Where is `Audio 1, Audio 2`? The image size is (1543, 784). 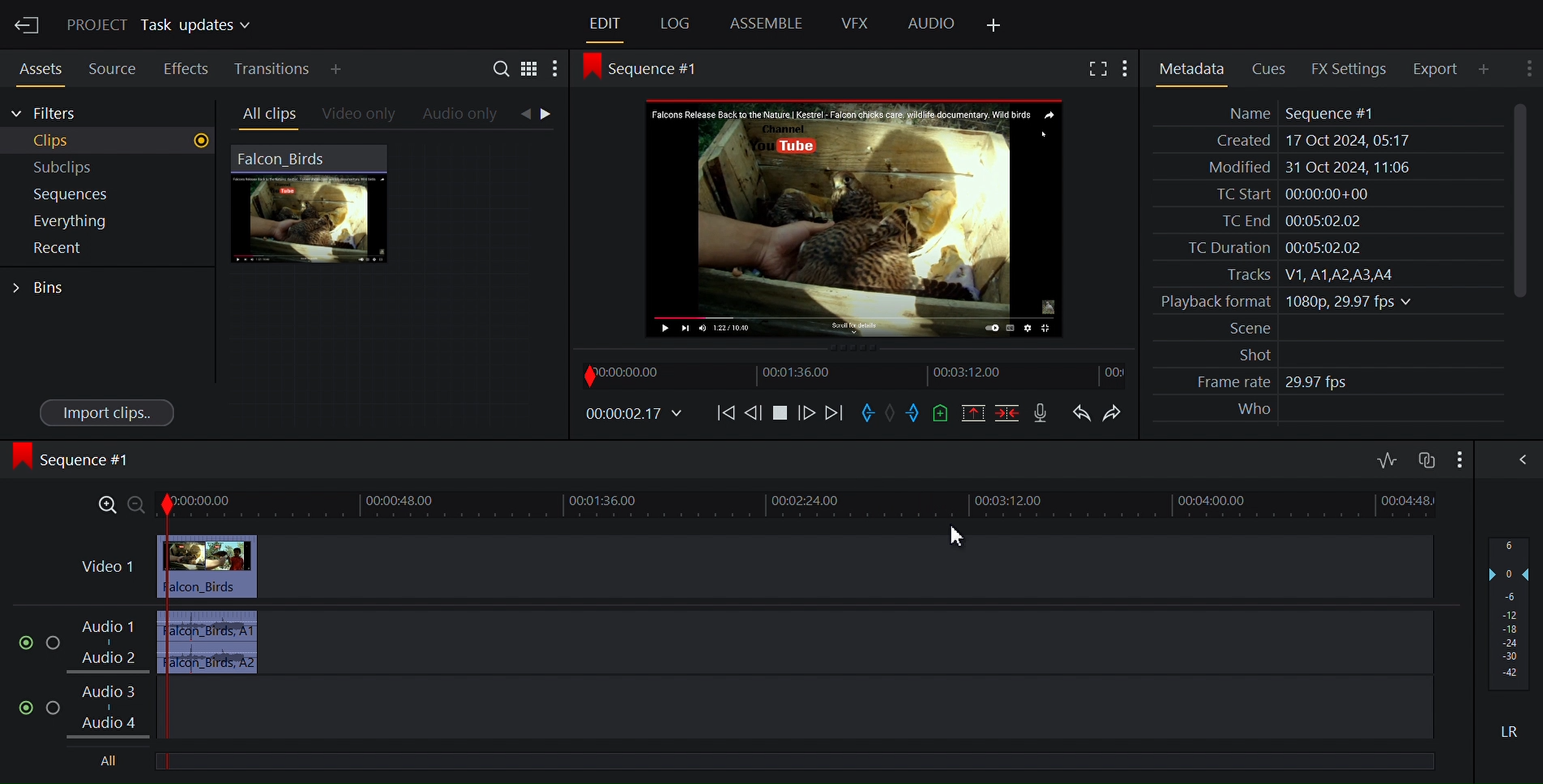 Audio 1, Audio 2 is located at coordinates (749, 641).